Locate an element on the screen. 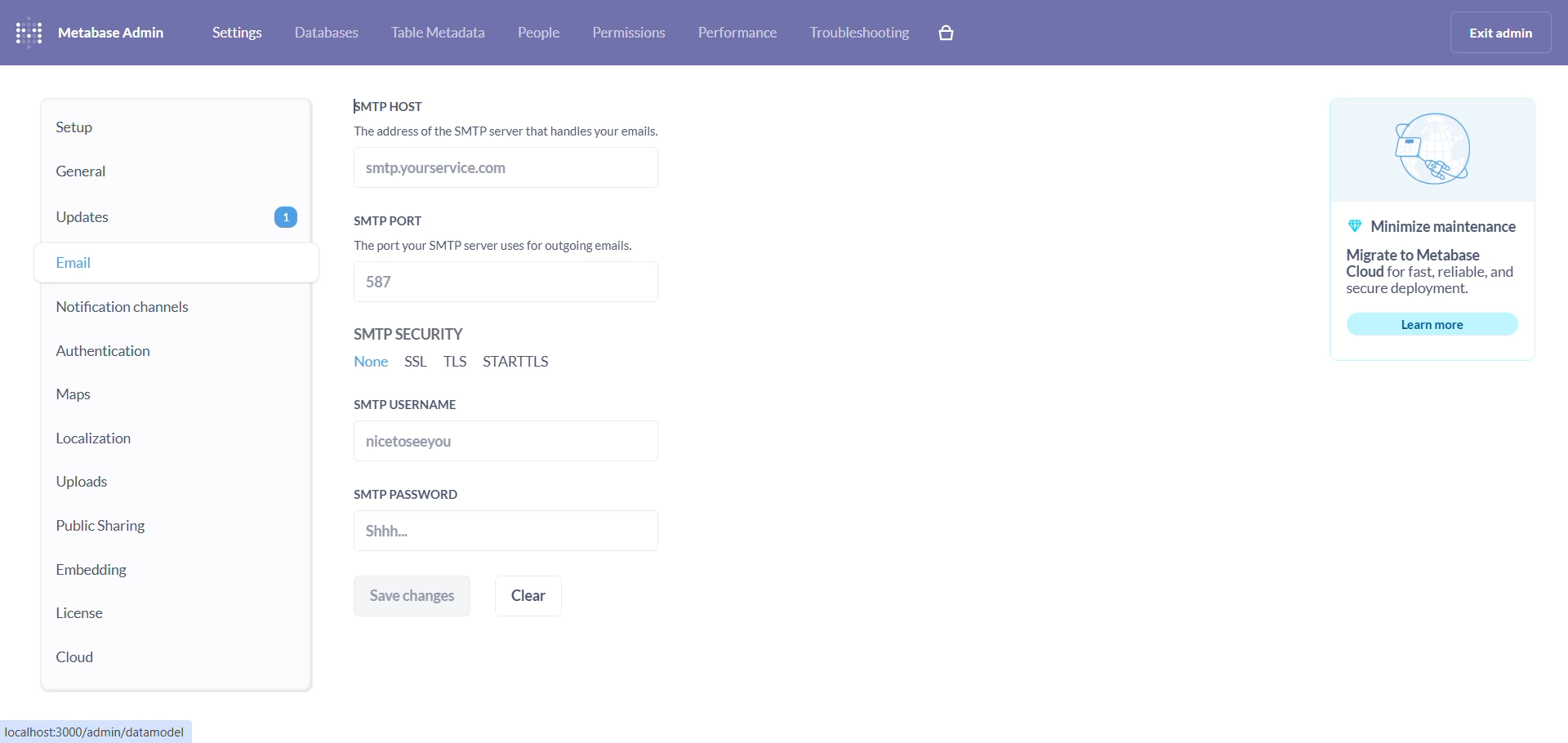 The image size is (1568, 743). trouble shooting is located at coordinates (861, 33).